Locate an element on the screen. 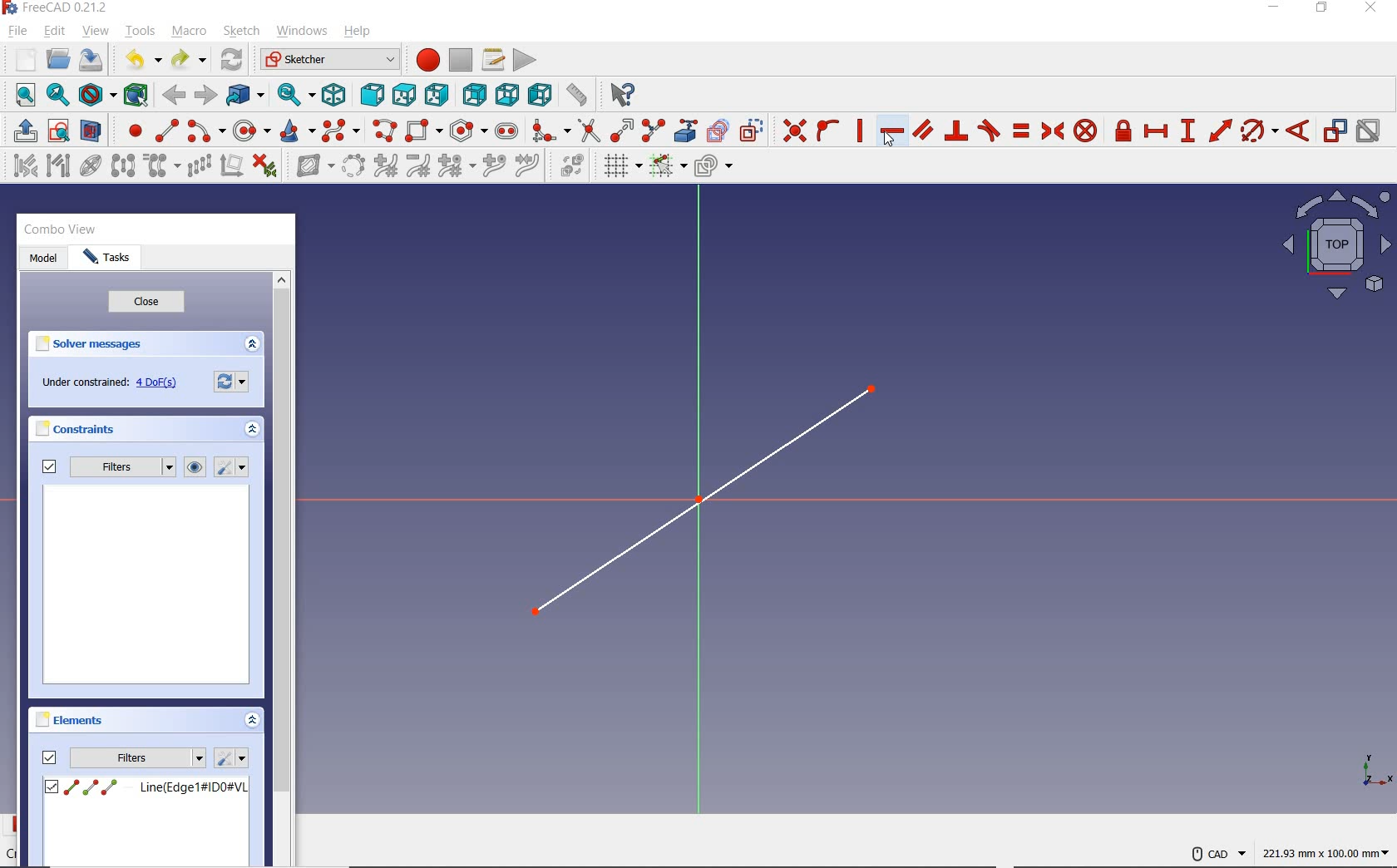  RIGHT is located at coordinates (437, 94).